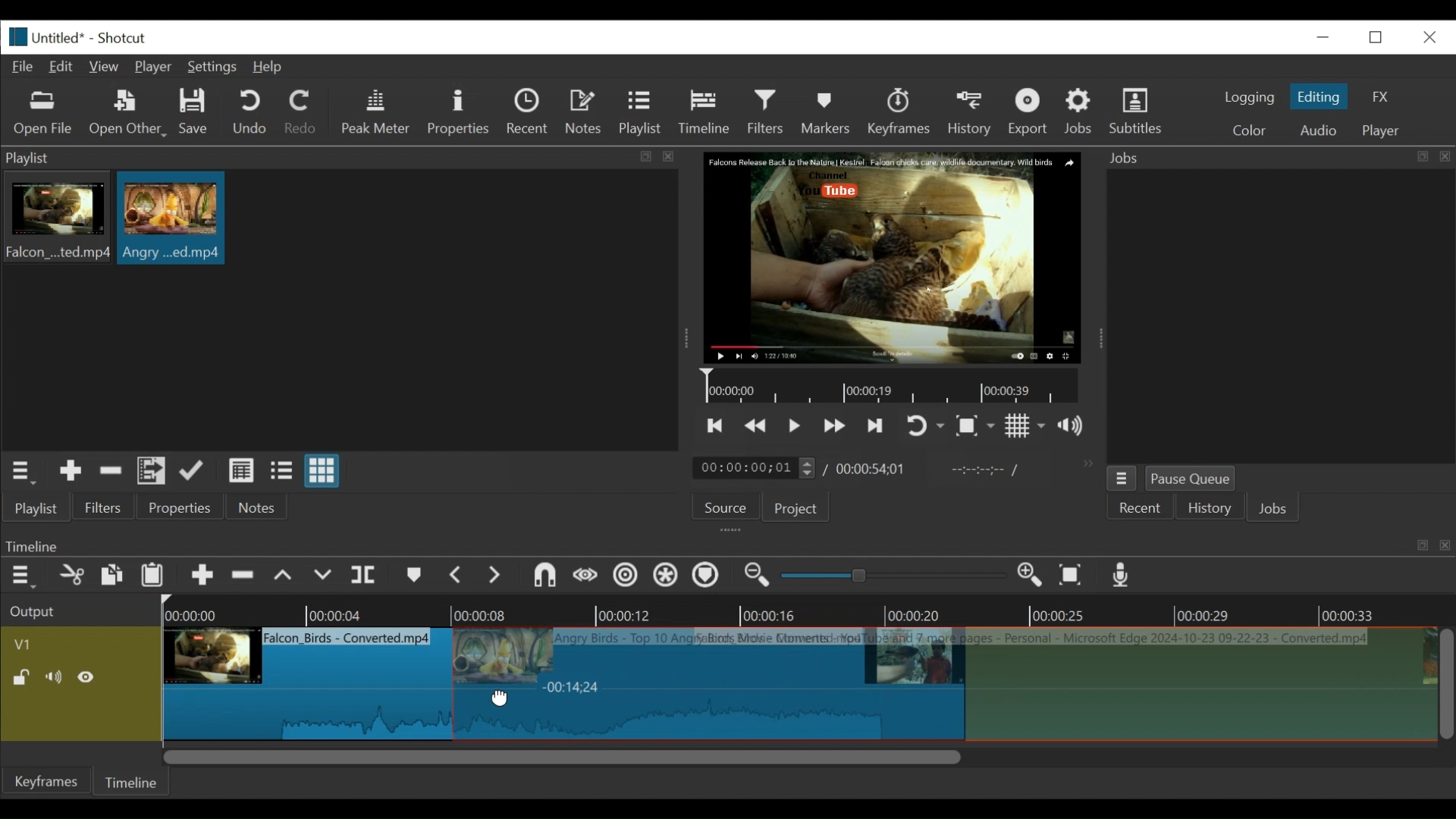 The image size is (1456, 819). What do you see at coordinates (1122, 579) in the screenshot?
I see `Record audio` at bounding box center [1122, 579].